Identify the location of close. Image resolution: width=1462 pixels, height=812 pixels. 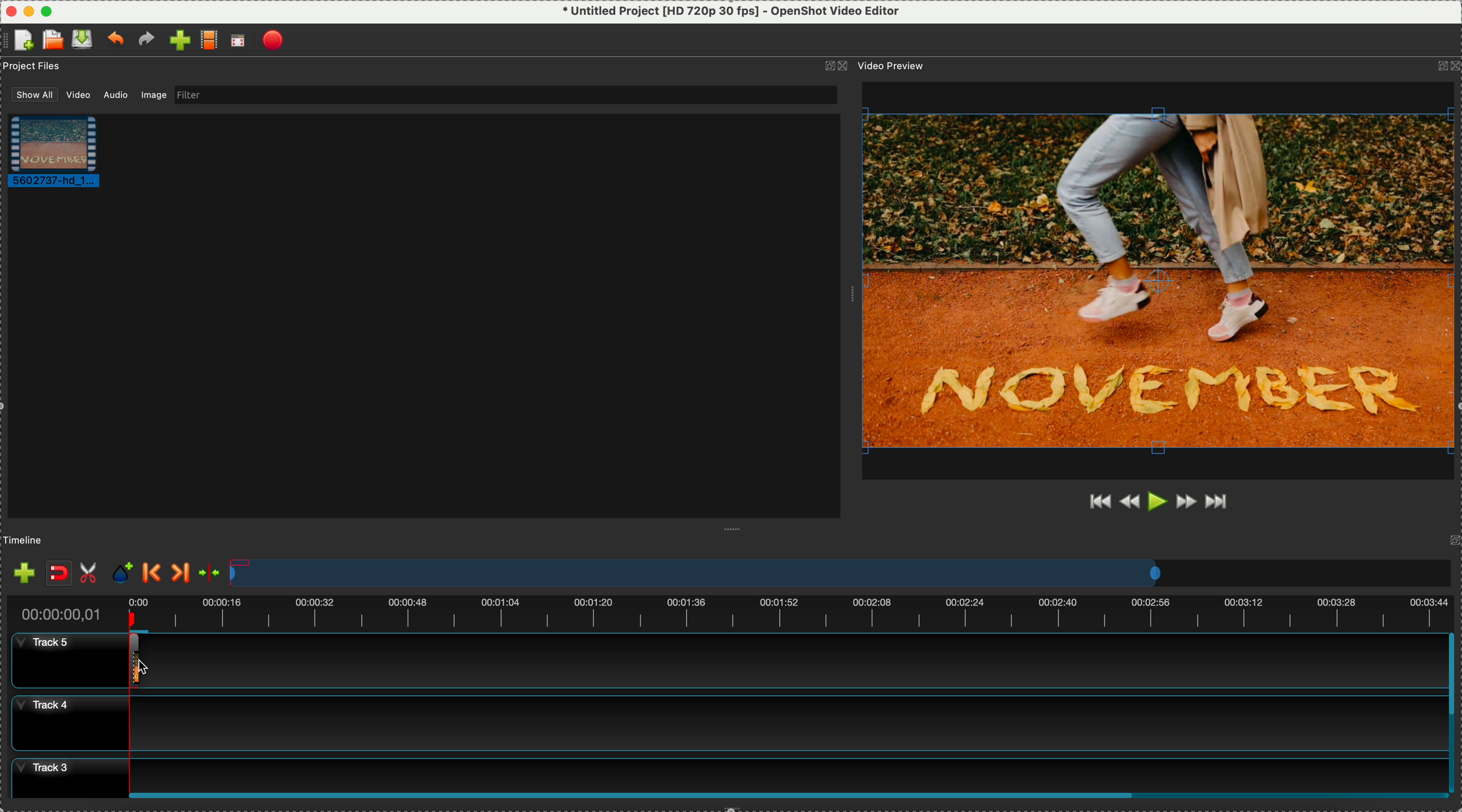
(9, 9).